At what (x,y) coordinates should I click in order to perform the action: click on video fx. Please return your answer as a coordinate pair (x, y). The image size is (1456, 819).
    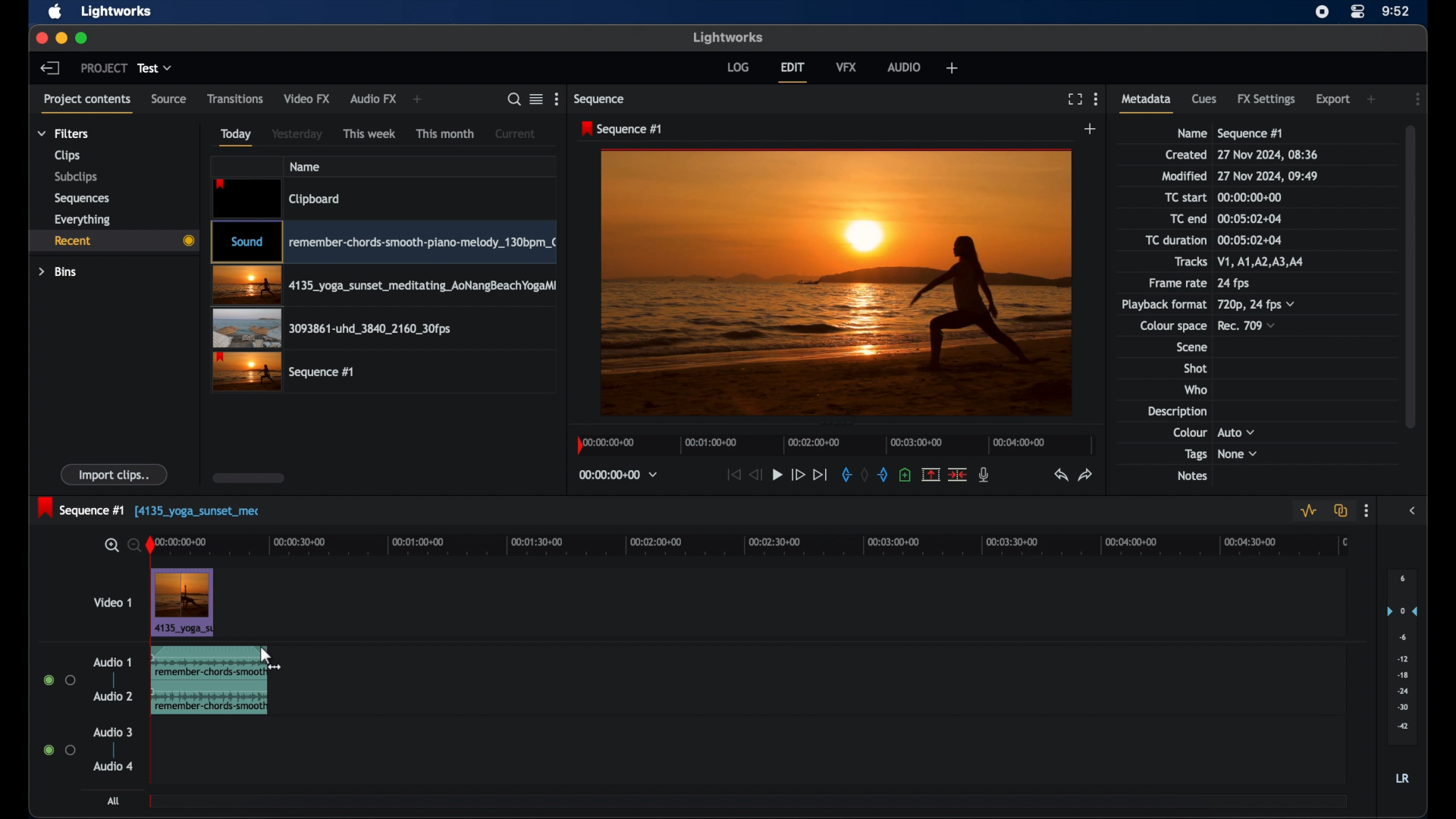
    Looking at the image, I should click on (308, 98).